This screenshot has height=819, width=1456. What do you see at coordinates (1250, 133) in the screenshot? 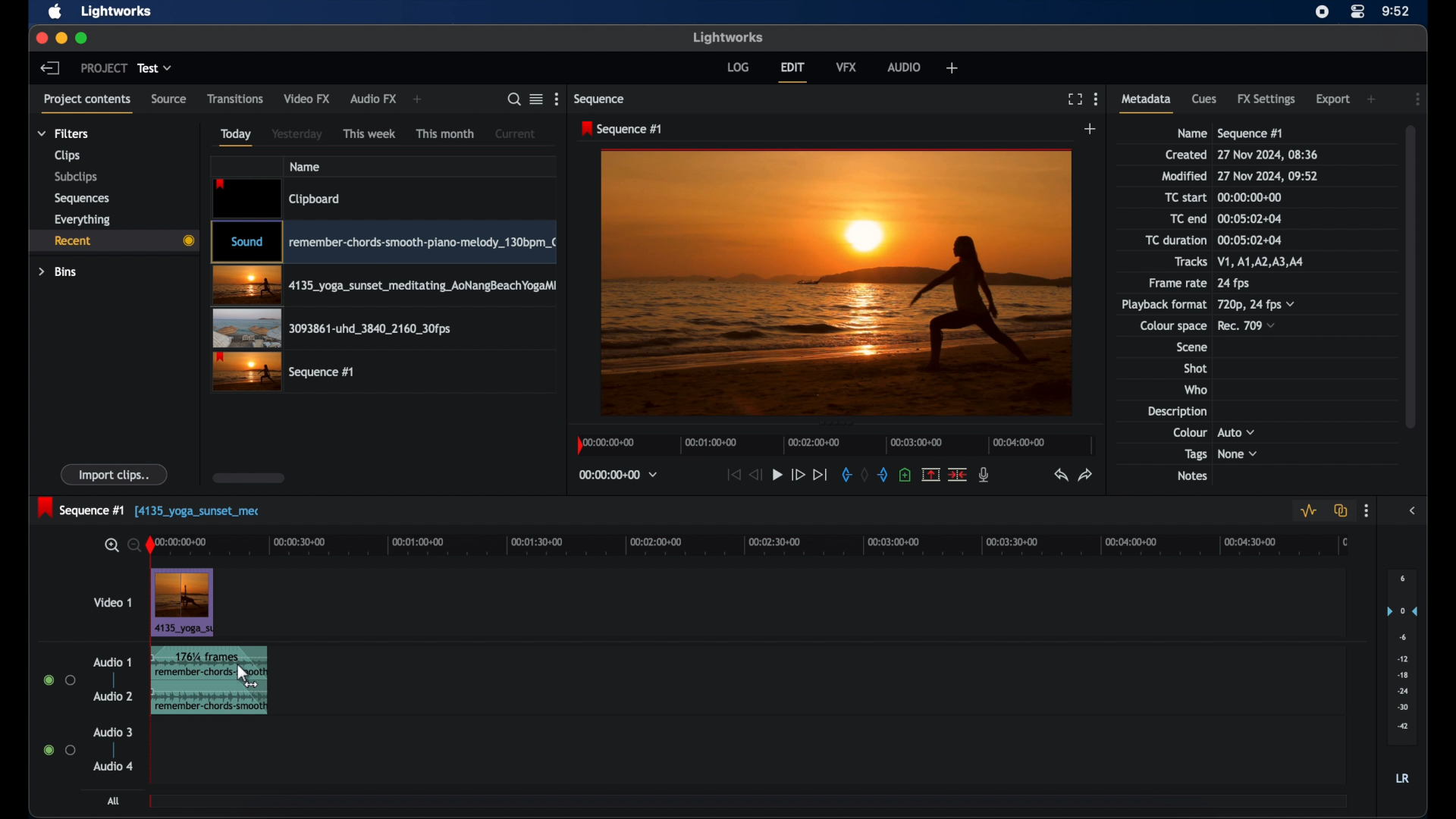
I see `sequence 1` at bounding box center [1250, 133].